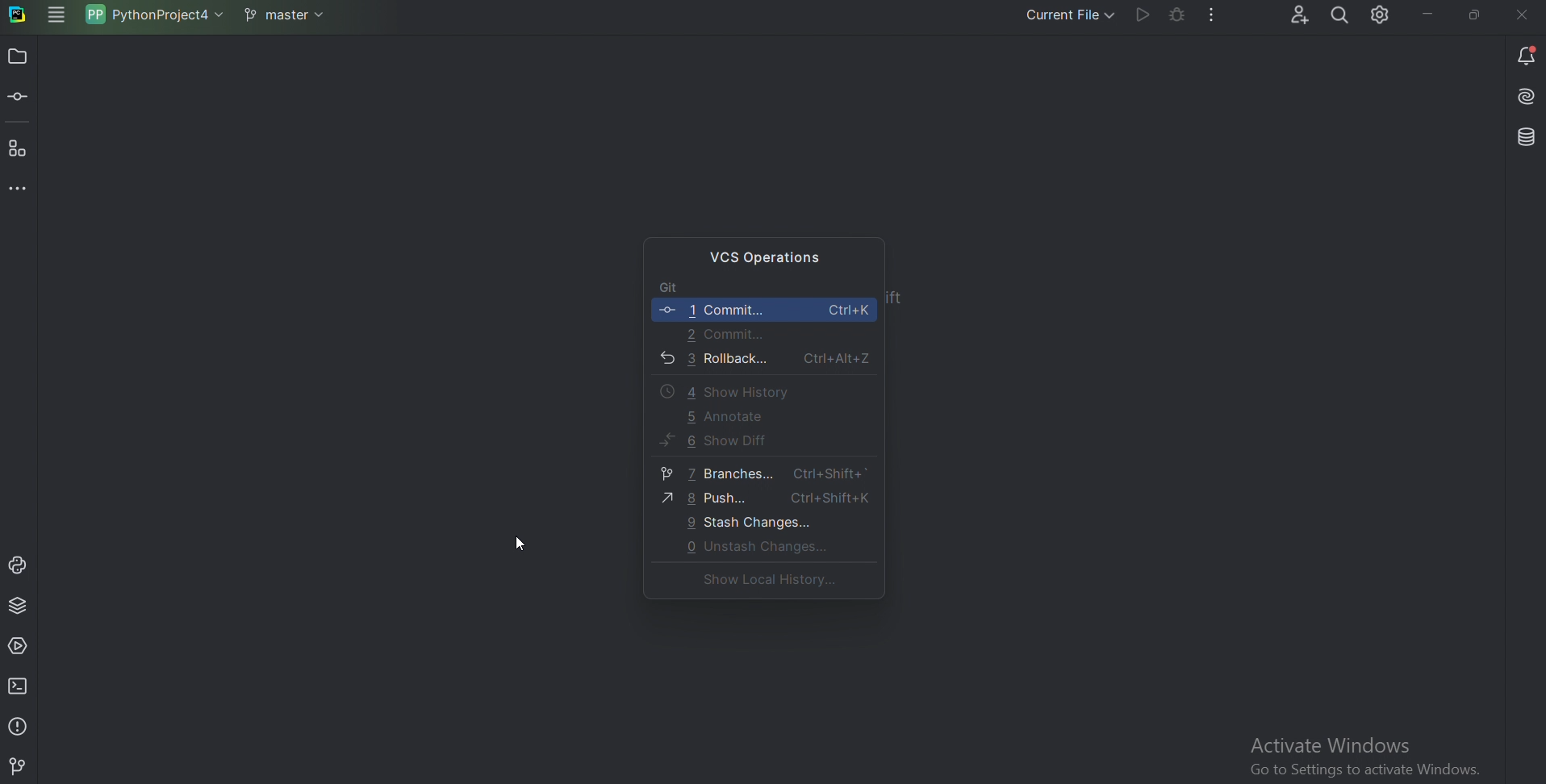 Image resolution: width=1546 pixels, height=784 pixels. I want to click on Python package, so click(21, 607).